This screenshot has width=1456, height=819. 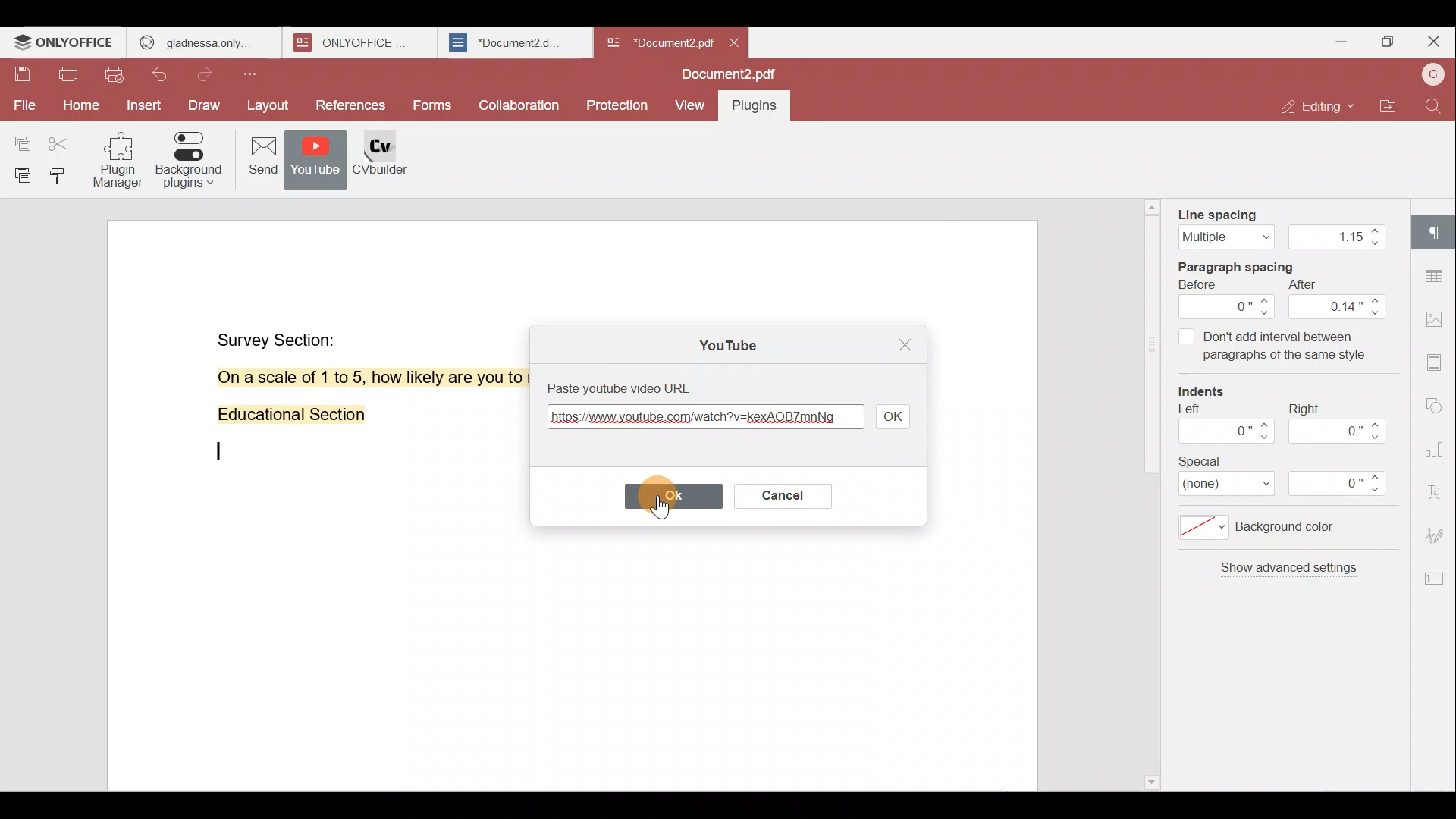 What do you see at coordinates (517, 104) in the screenshot?
I see `Collaboration` at bounding box center [517, 104].